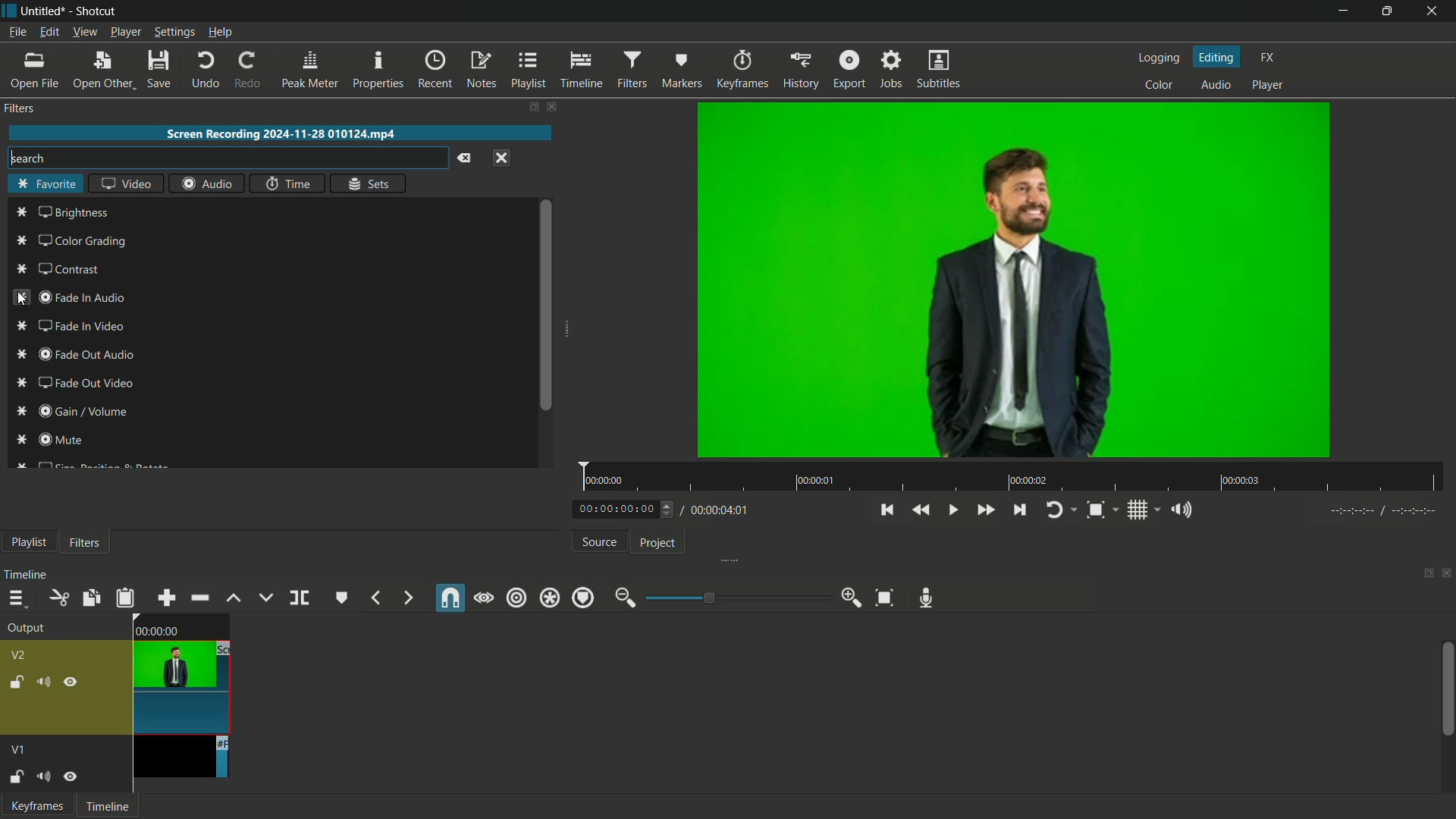 The height and width of the screenshot is (819, 1456). I want to click on audio, so click(207, 183).